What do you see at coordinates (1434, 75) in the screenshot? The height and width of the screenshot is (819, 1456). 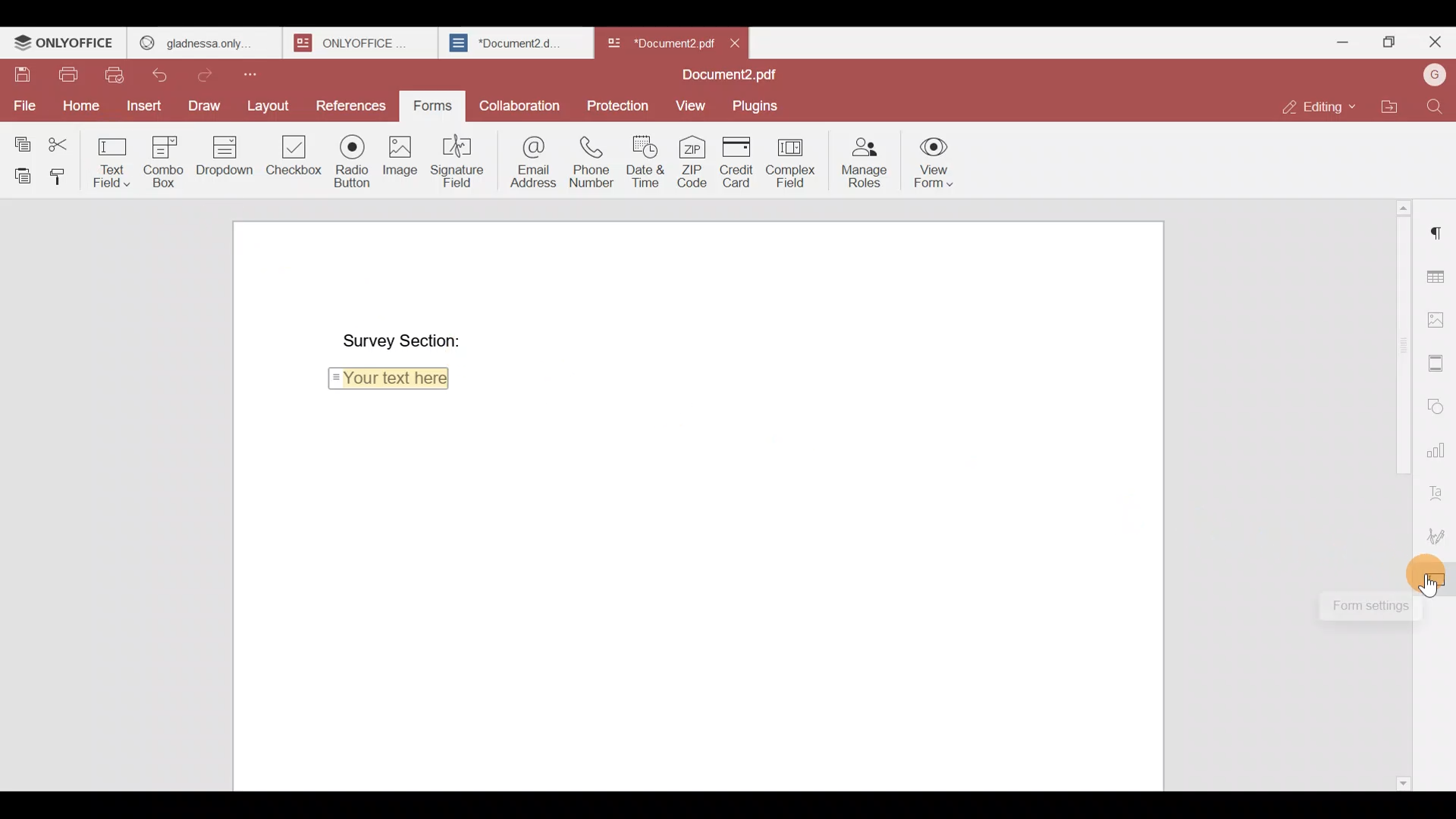 I see `Account name` at bounding box center [1434, 75].